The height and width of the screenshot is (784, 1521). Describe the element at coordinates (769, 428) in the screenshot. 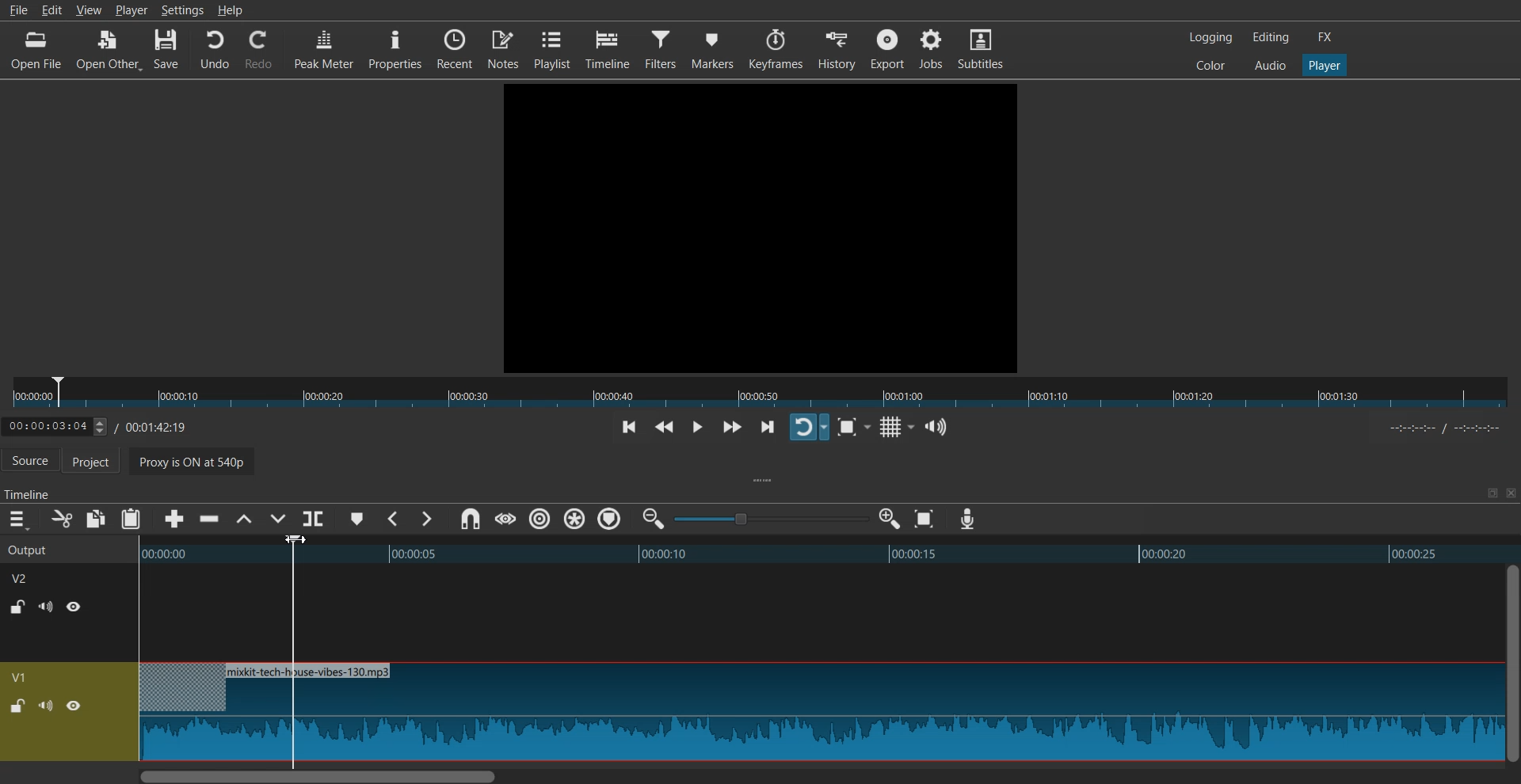

I see `Skip to next point` at that location.